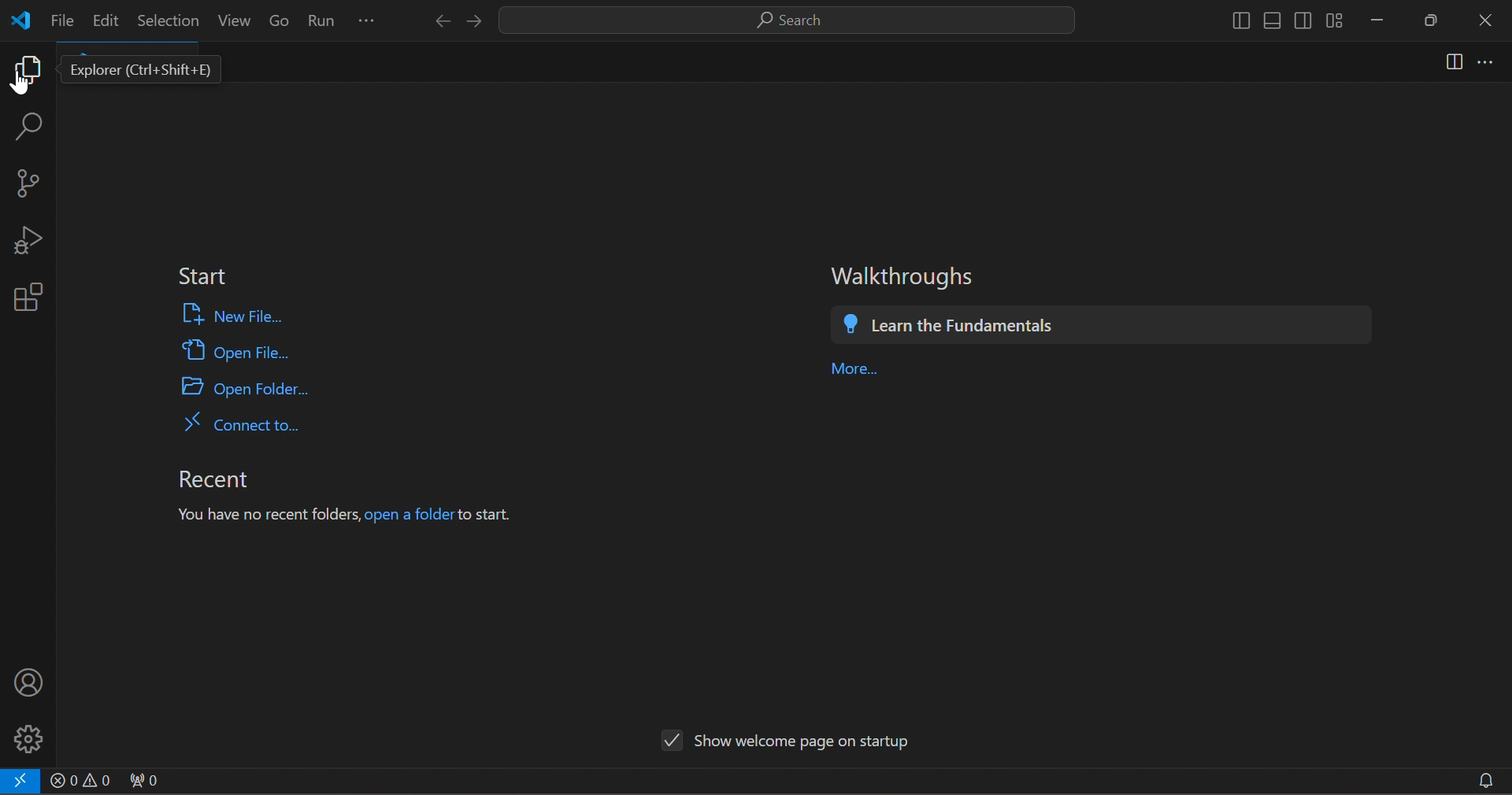 This screenshot has height=795, width=1512. What do you see at coordinates (1438, 20) in the screenshot?
I see `restore` at bounding box center [1438, 20].